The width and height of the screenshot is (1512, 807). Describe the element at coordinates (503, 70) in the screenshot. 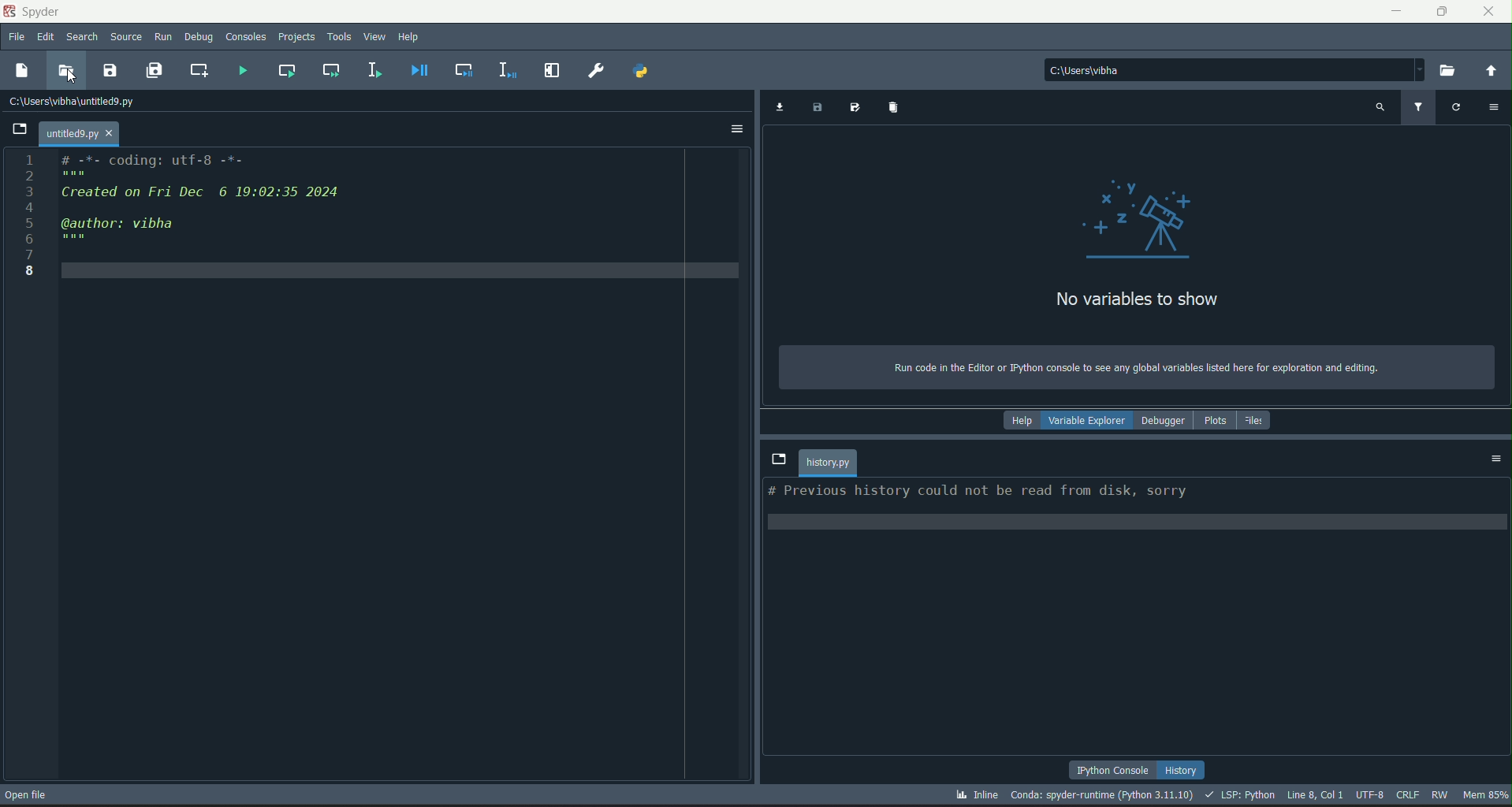

I see `debug selection` at that location.